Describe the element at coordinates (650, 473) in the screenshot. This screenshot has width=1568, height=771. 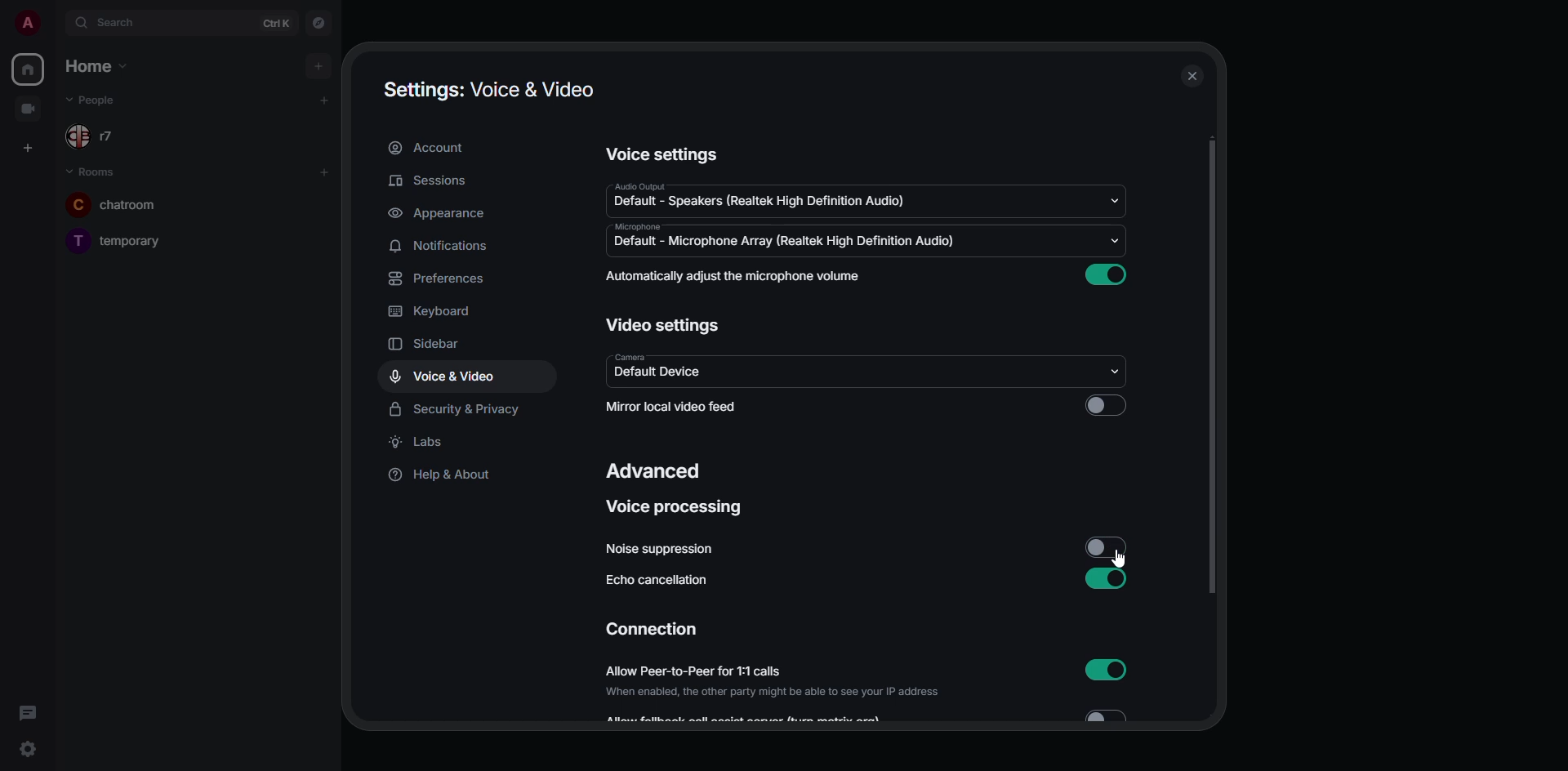
I see `advanced` at that location.